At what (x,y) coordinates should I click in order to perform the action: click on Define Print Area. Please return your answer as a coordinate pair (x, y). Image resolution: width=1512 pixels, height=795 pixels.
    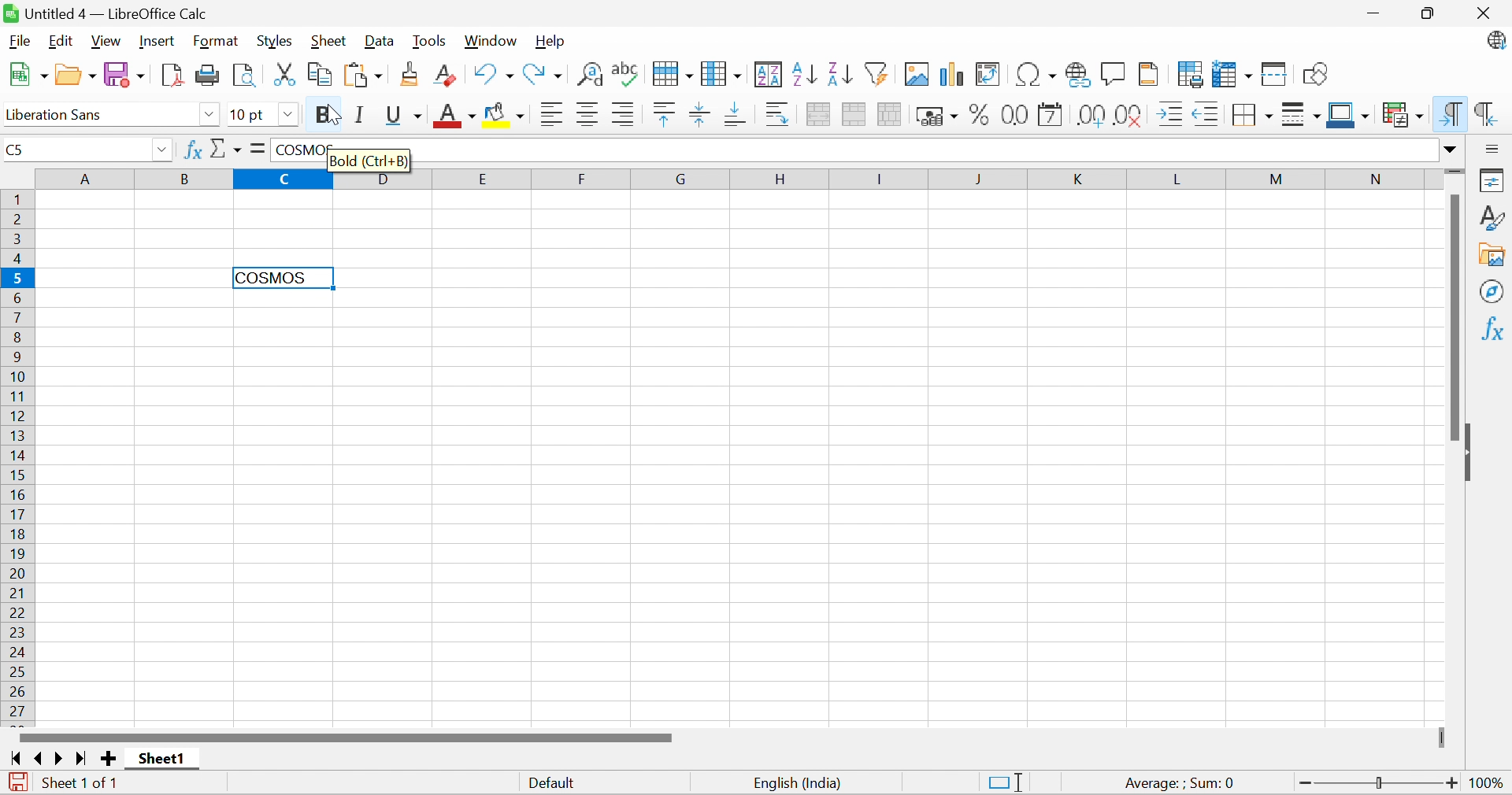
    Looking at the image, I should click on (1191, 74).